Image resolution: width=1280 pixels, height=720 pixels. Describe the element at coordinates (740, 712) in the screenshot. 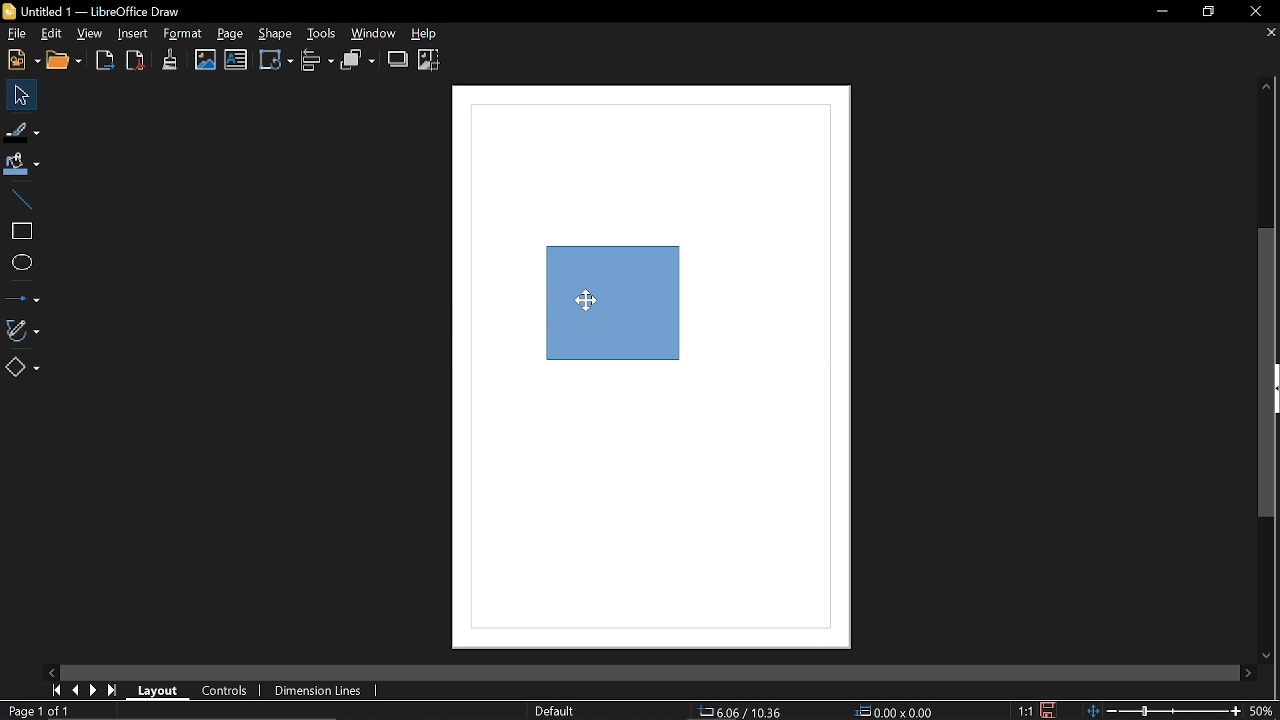

I see `Position` at that location.